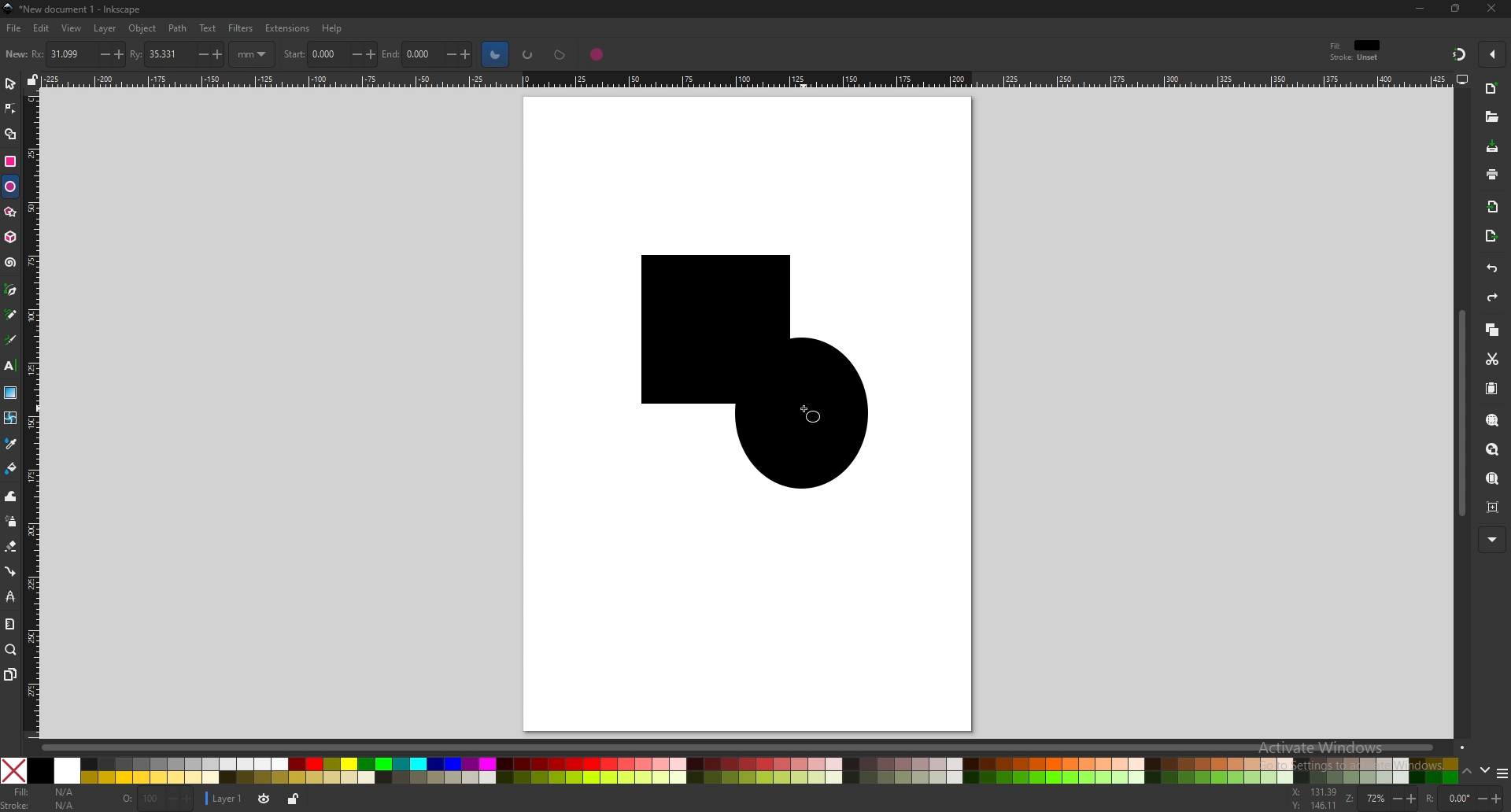  I want to click on zoom page, so click(1493, 478).